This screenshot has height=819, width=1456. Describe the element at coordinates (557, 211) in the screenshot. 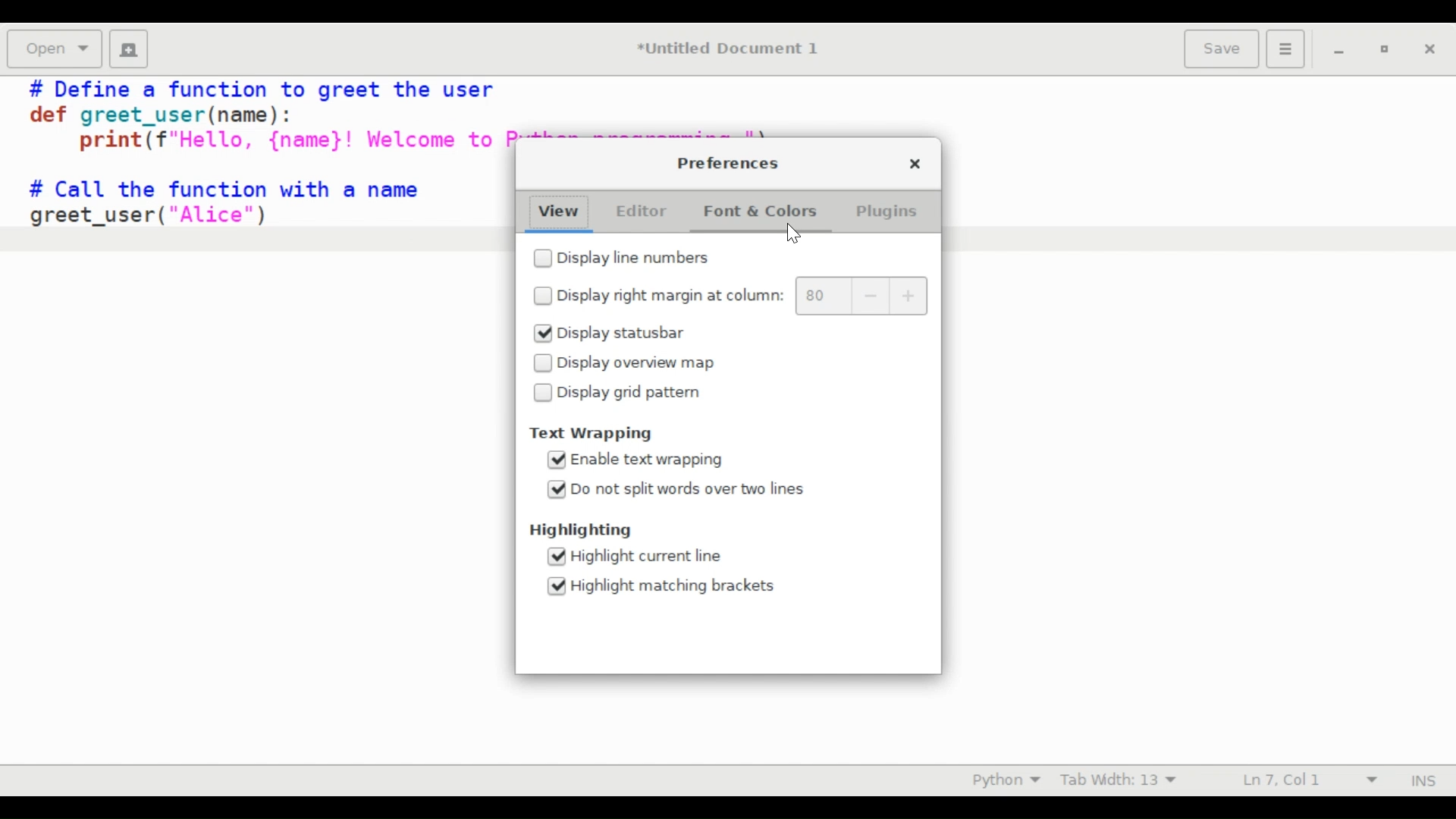

I see `View` at that location.